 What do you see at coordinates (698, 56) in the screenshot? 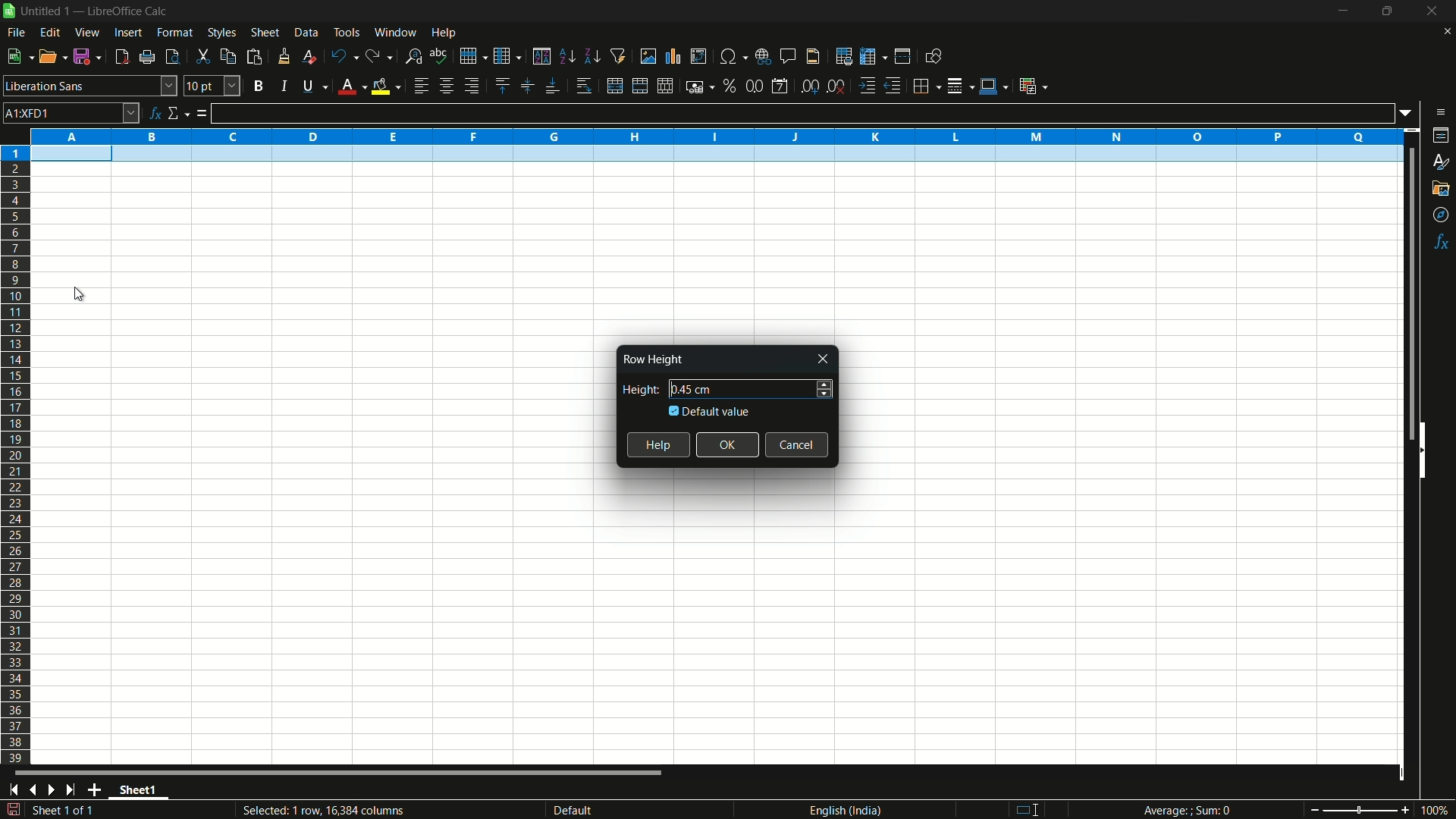
I see `insert or edit pivot table` at bounding box center [698, 56].